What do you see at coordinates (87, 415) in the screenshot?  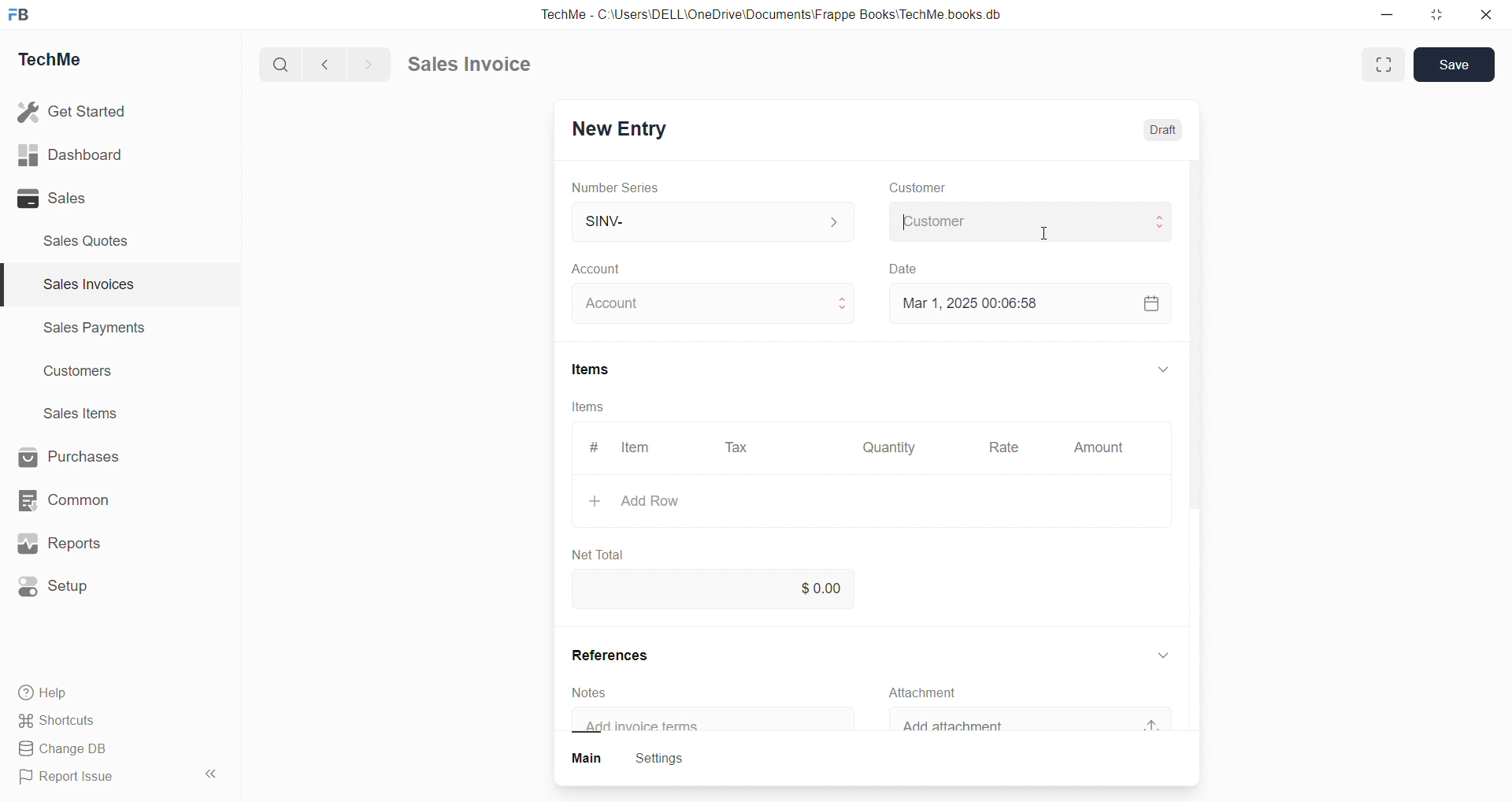 I see `Sales Items` at bounding box center [87, 415].